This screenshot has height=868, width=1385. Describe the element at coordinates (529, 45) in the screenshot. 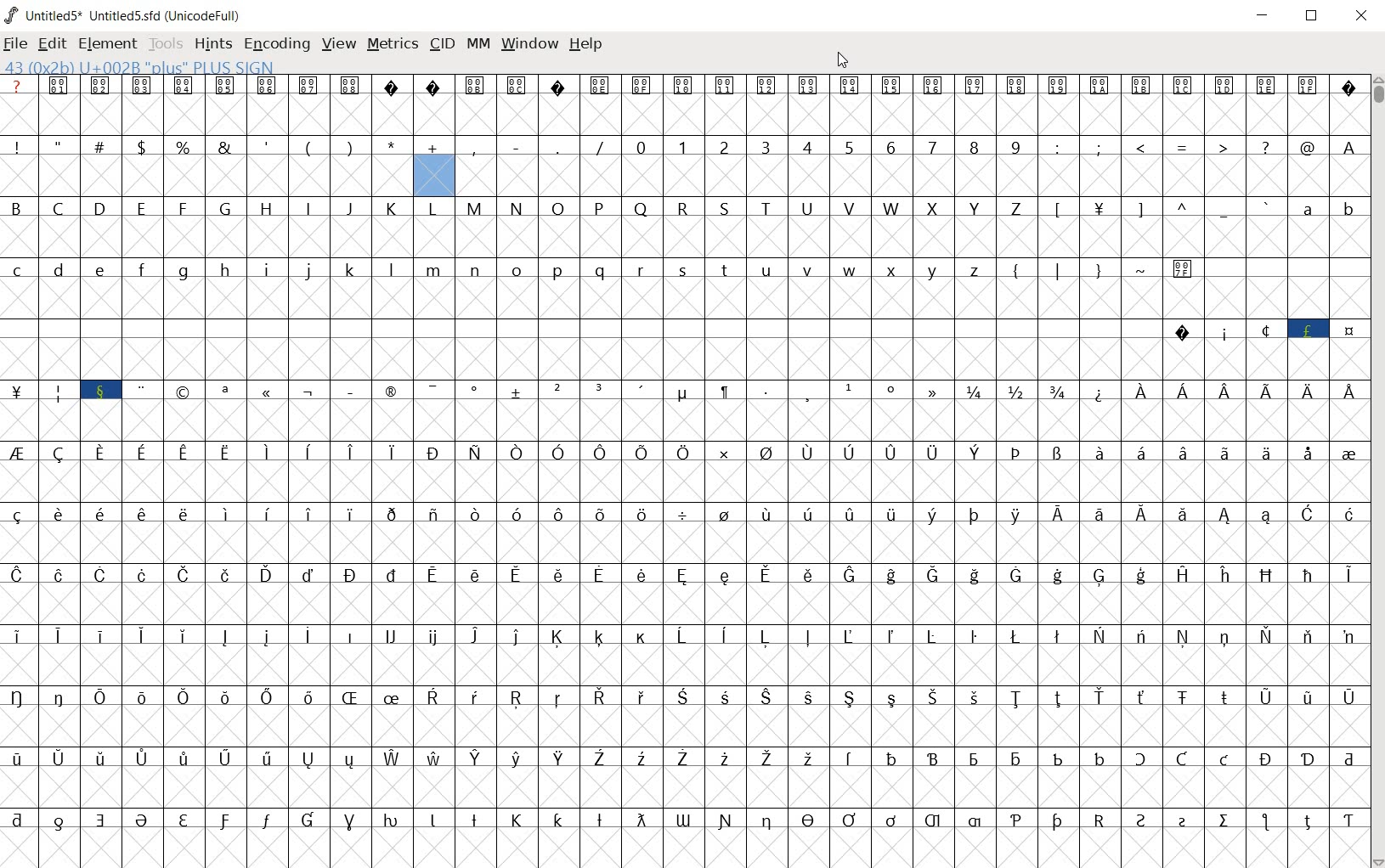

I see `window` at that location.